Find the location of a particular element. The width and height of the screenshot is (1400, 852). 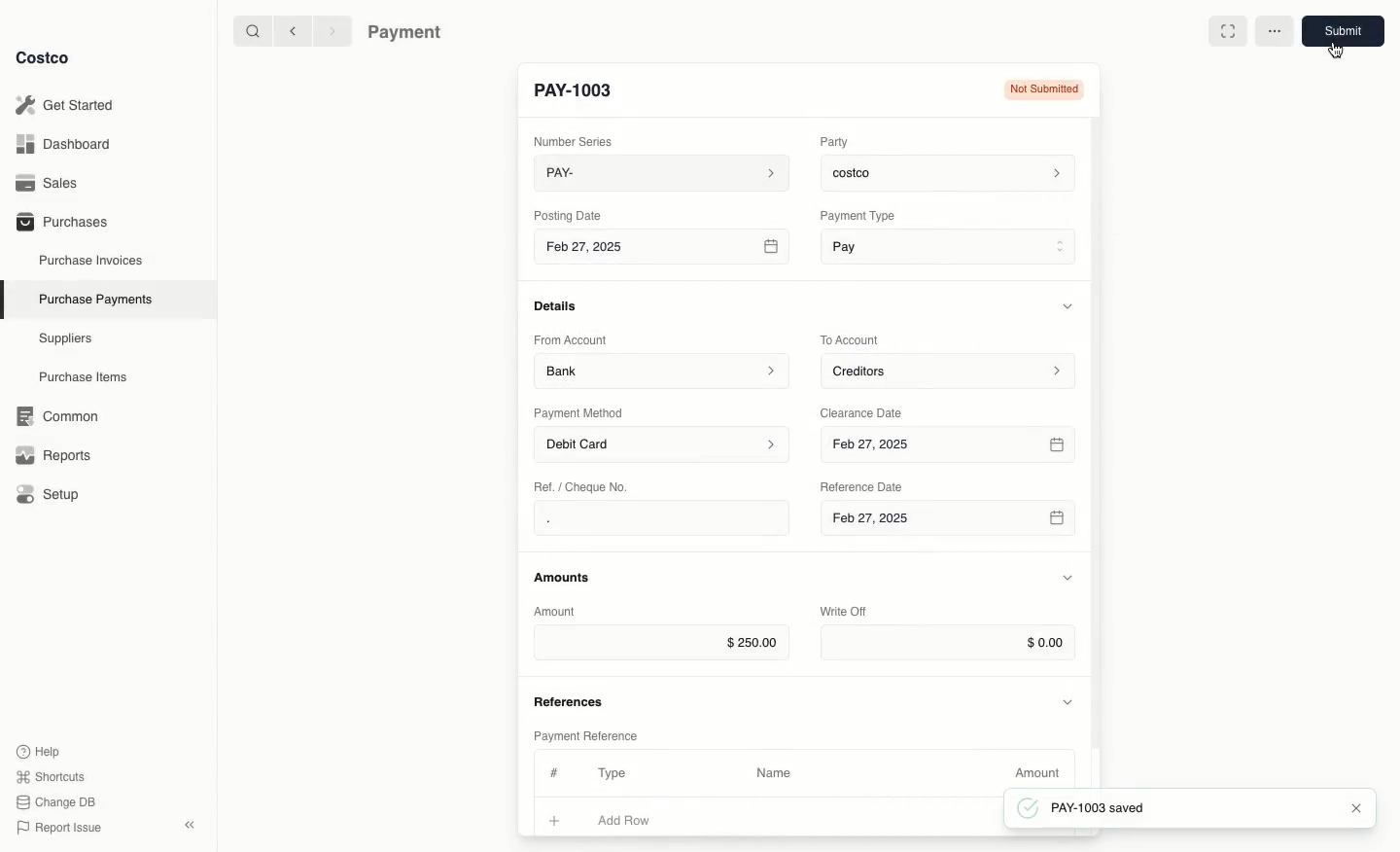

cursor is located at coordinates (1337, 53).